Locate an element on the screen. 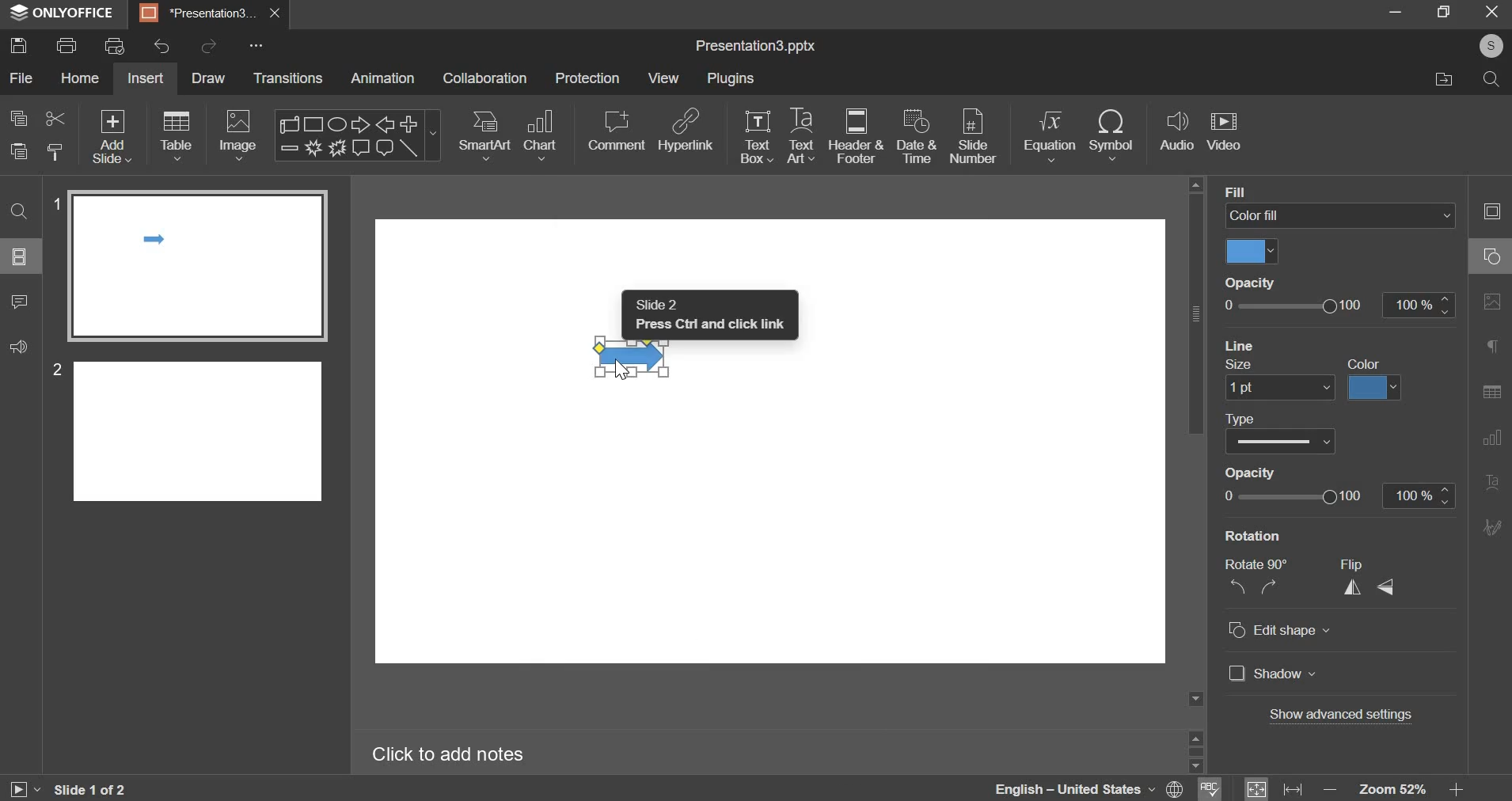 This screenshot has width=1512, height=801. close is located at coordinates (275, 13).